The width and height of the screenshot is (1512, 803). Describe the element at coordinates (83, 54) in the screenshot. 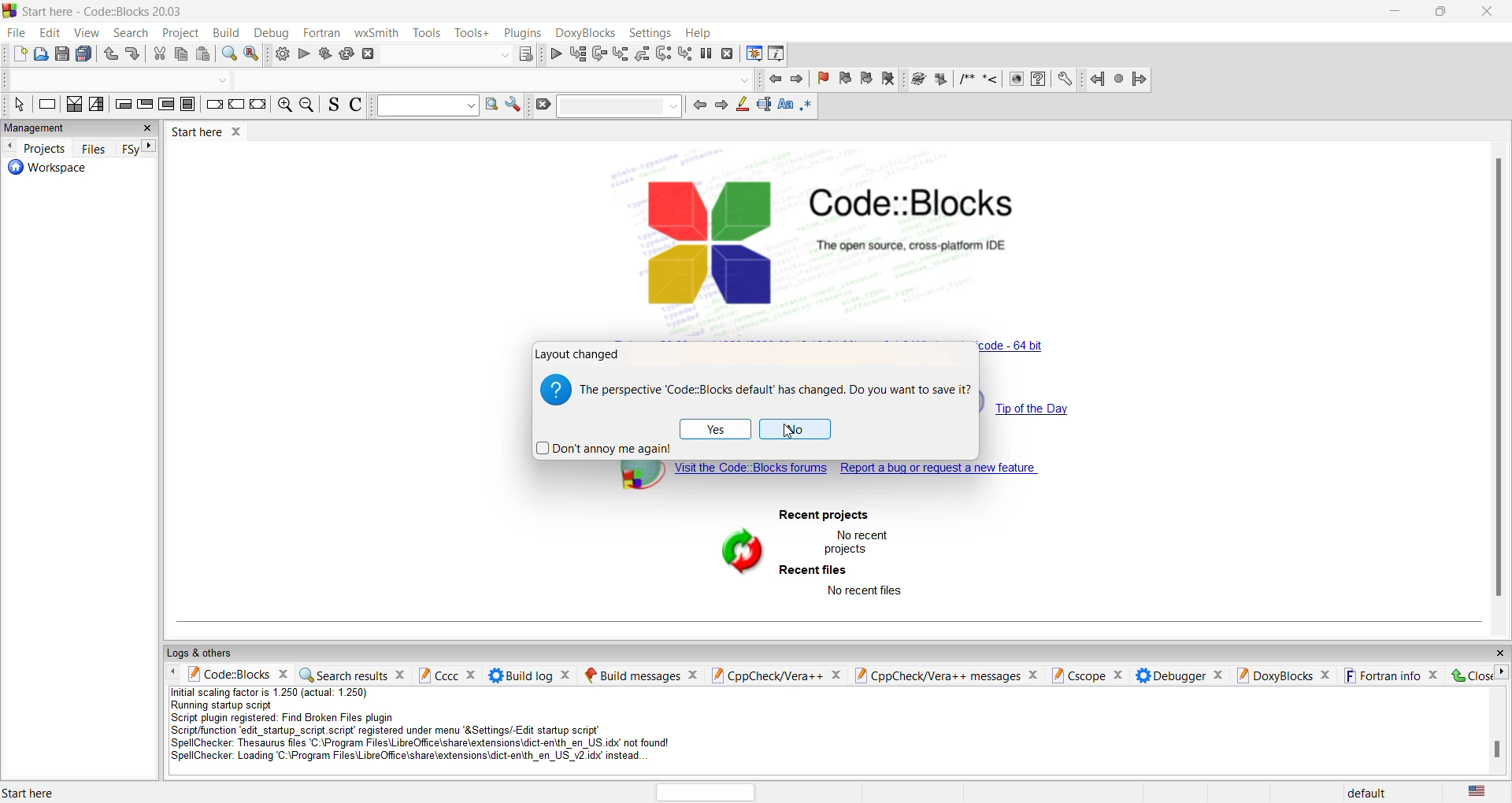

I see `save all` at that location.